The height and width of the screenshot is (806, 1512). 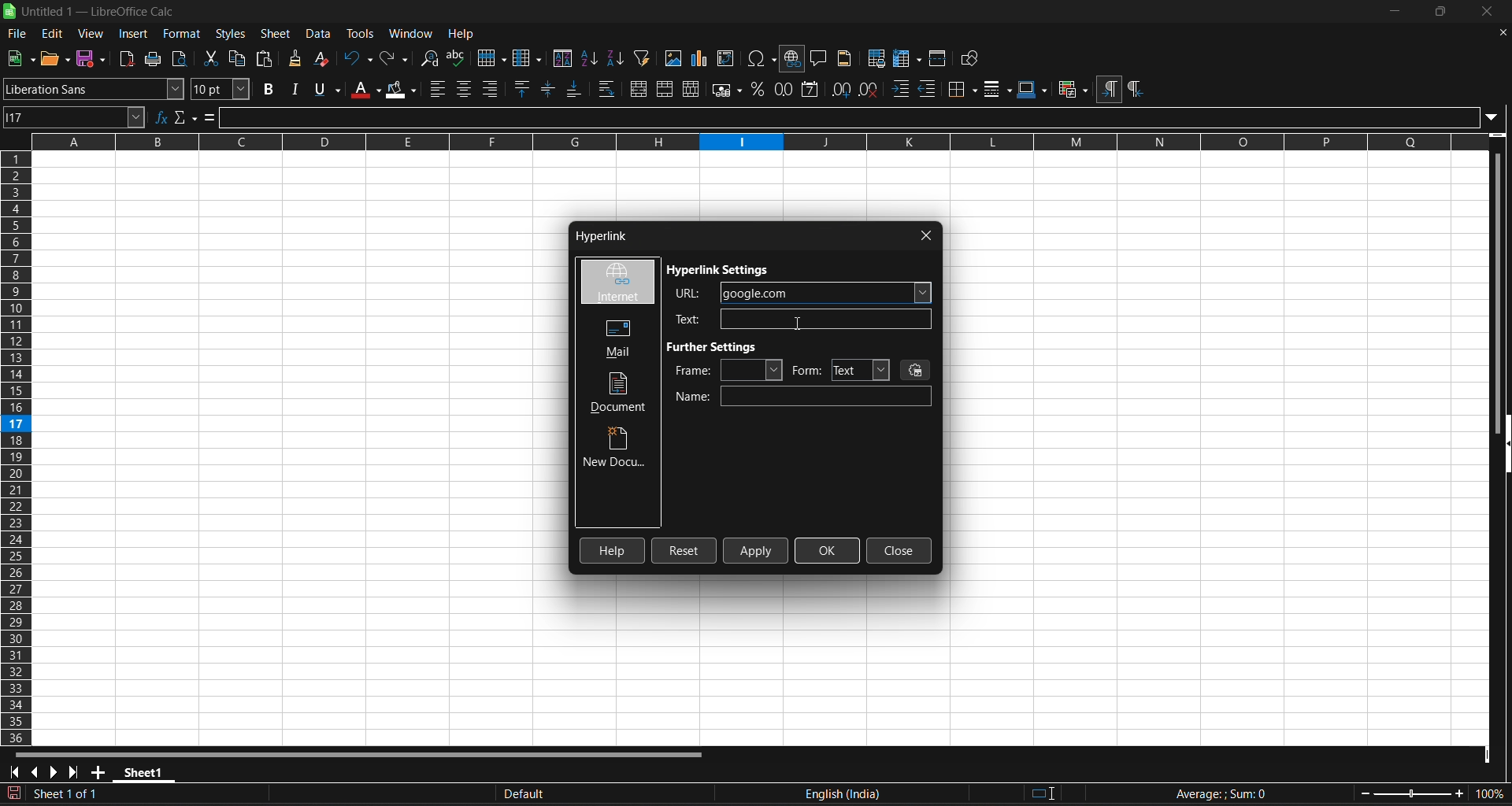 I want to click on columns, so click(x=17, y=449).